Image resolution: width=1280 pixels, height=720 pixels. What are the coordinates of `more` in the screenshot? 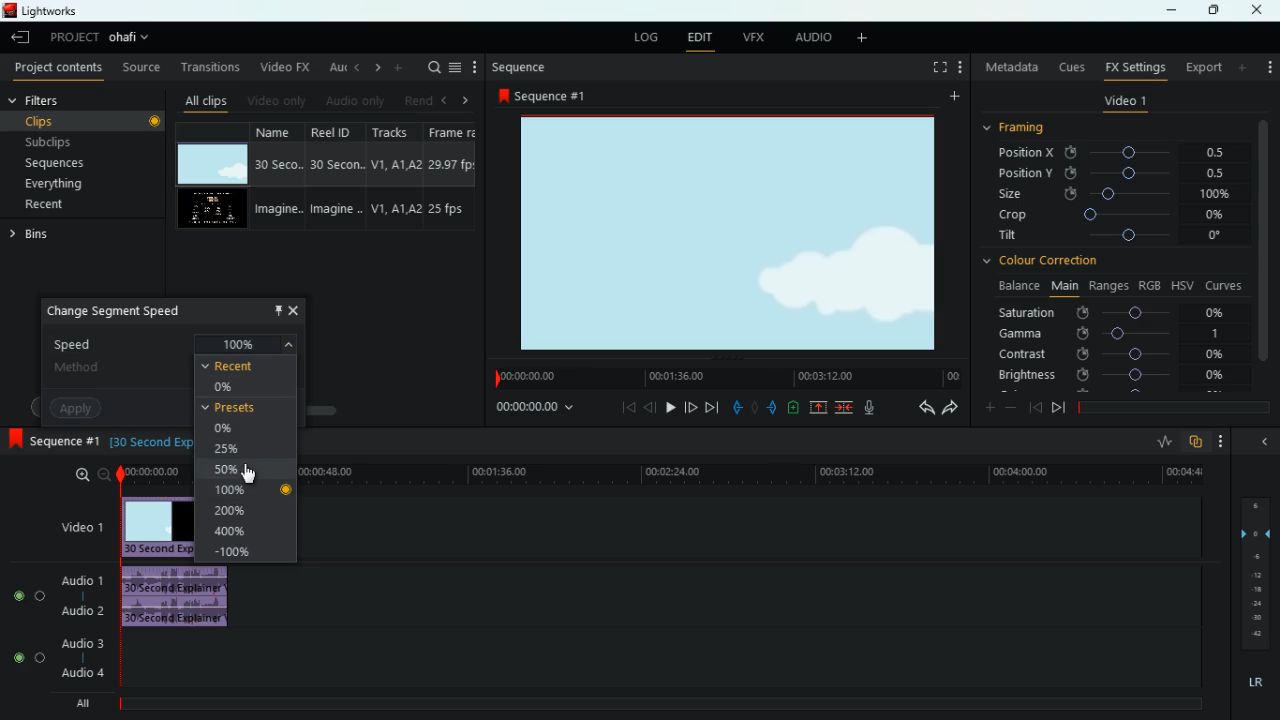 It's located at (952, 97).